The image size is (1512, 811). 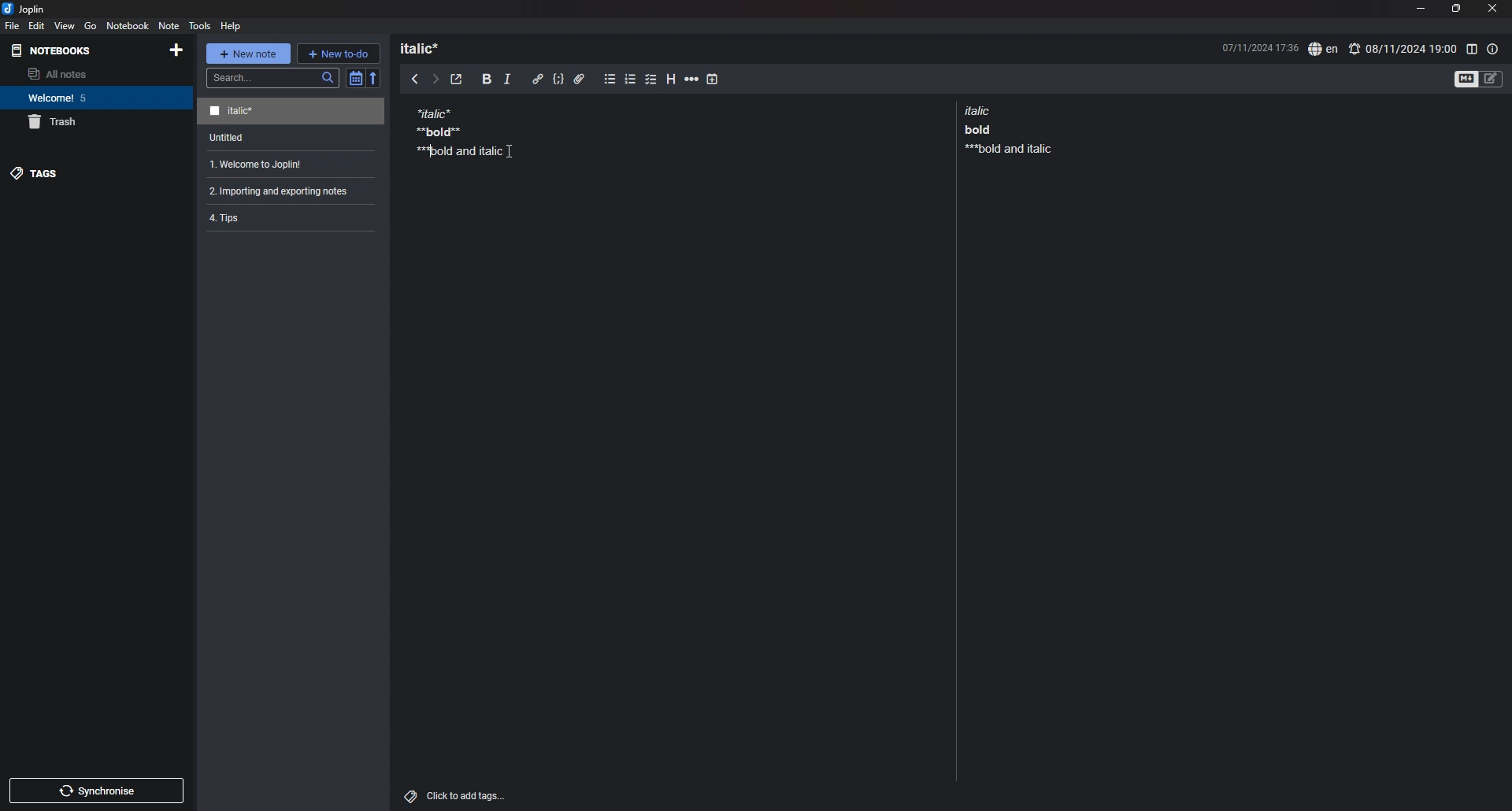 What do you see at coordinates (284, 191) in the screenshot?
I see `note` at bounding box center [284, 191].